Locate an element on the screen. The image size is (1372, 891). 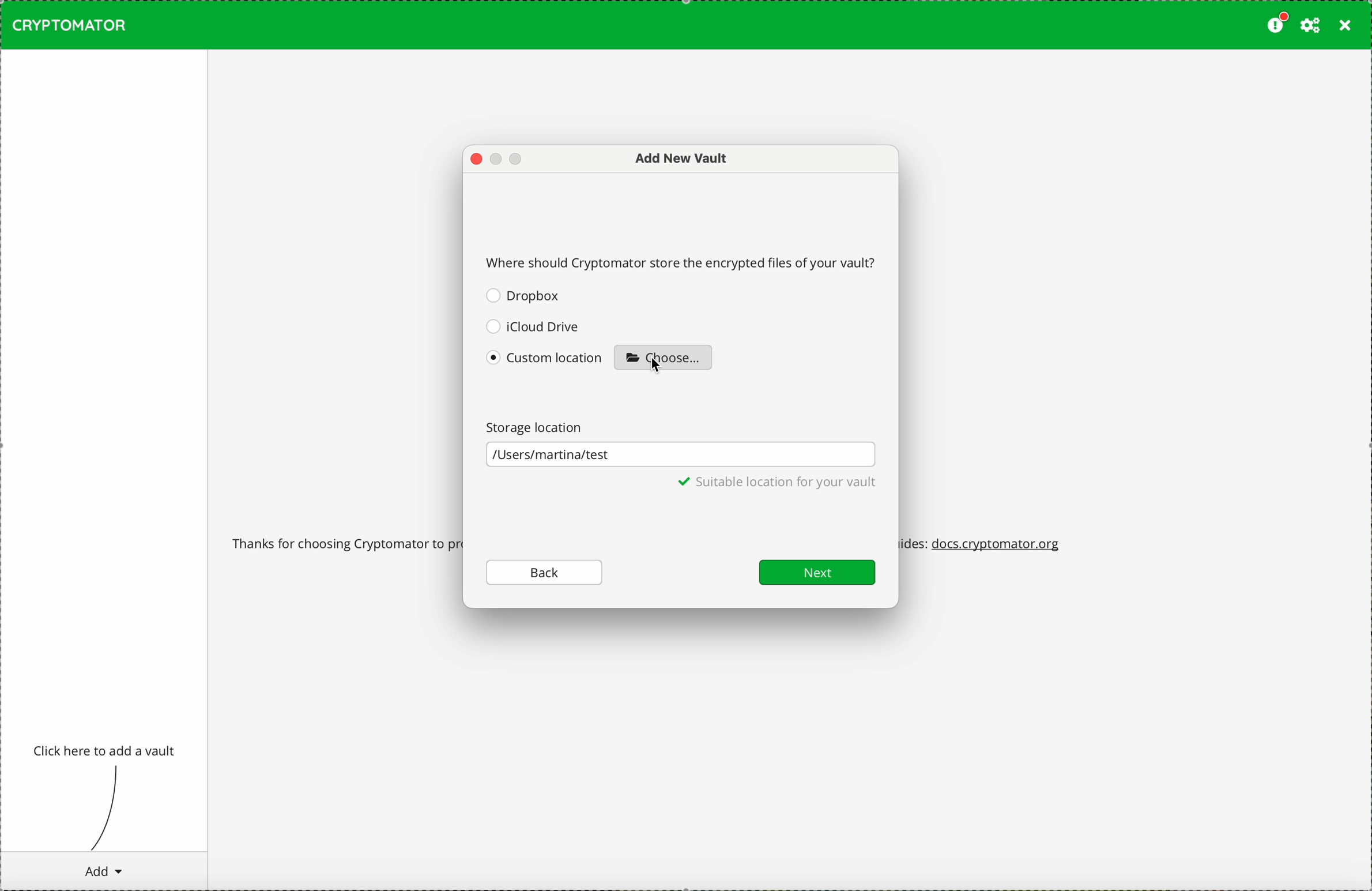
cursor on custom location option is located at coordinates (546, 362).